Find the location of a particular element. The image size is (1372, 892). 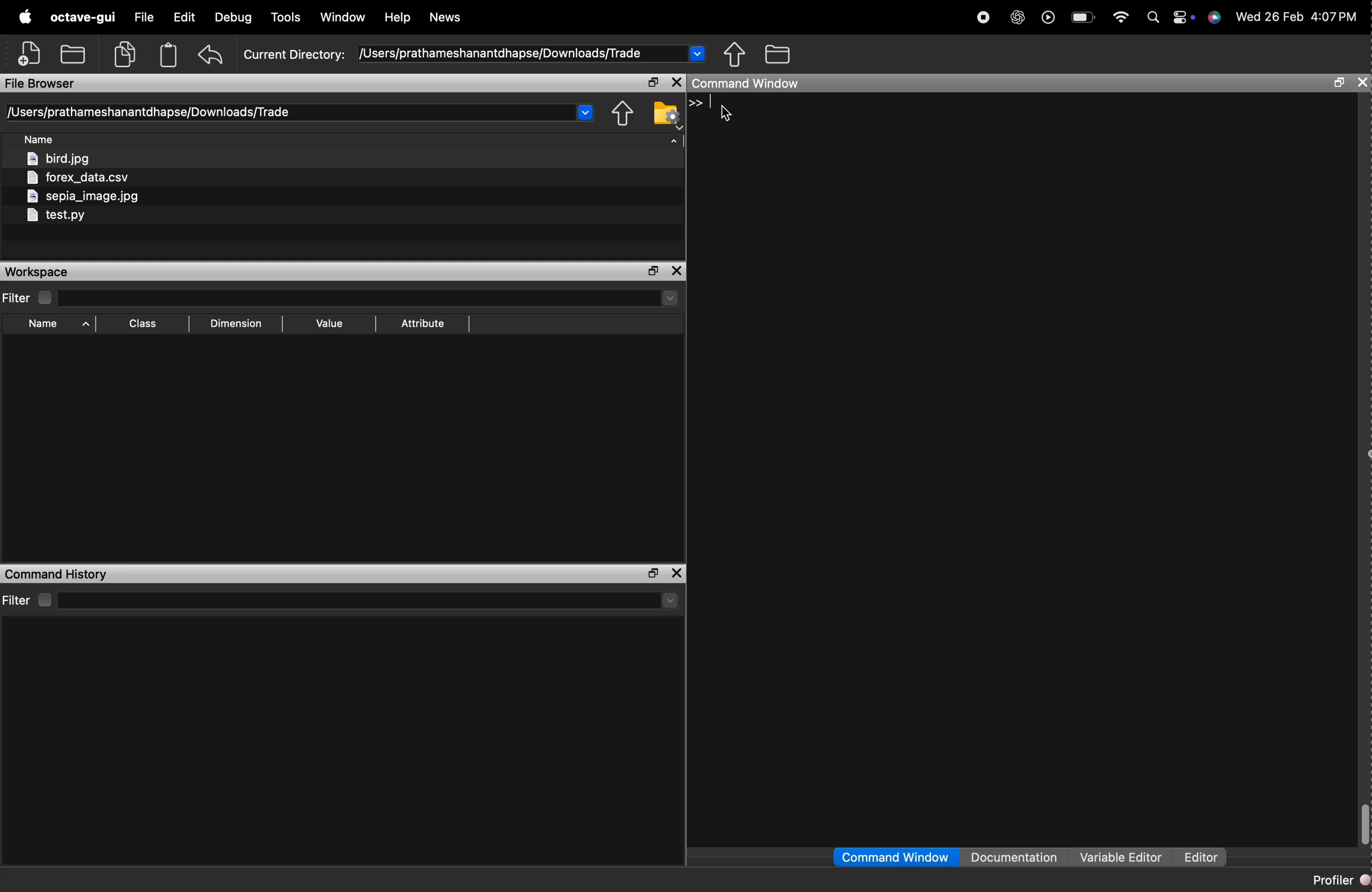

Attribute is located at coordinates (424, 324).